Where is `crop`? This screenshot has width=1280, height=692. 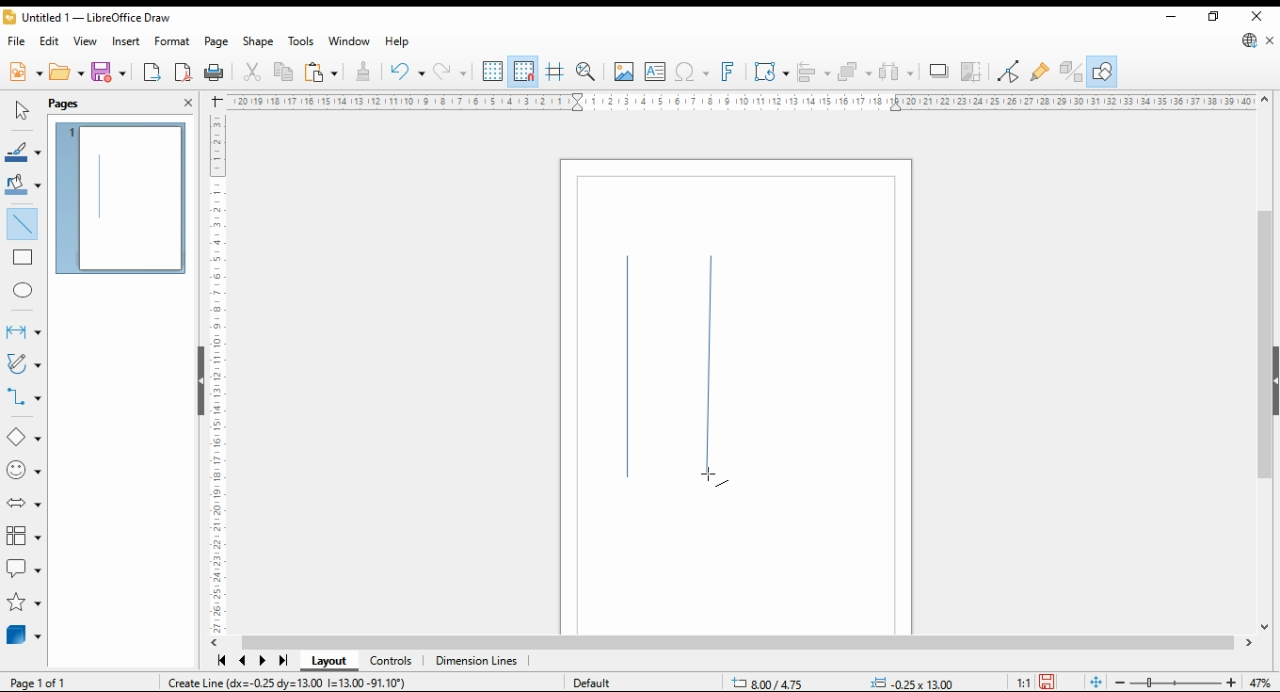 crop is located at coordinates (972, 71).